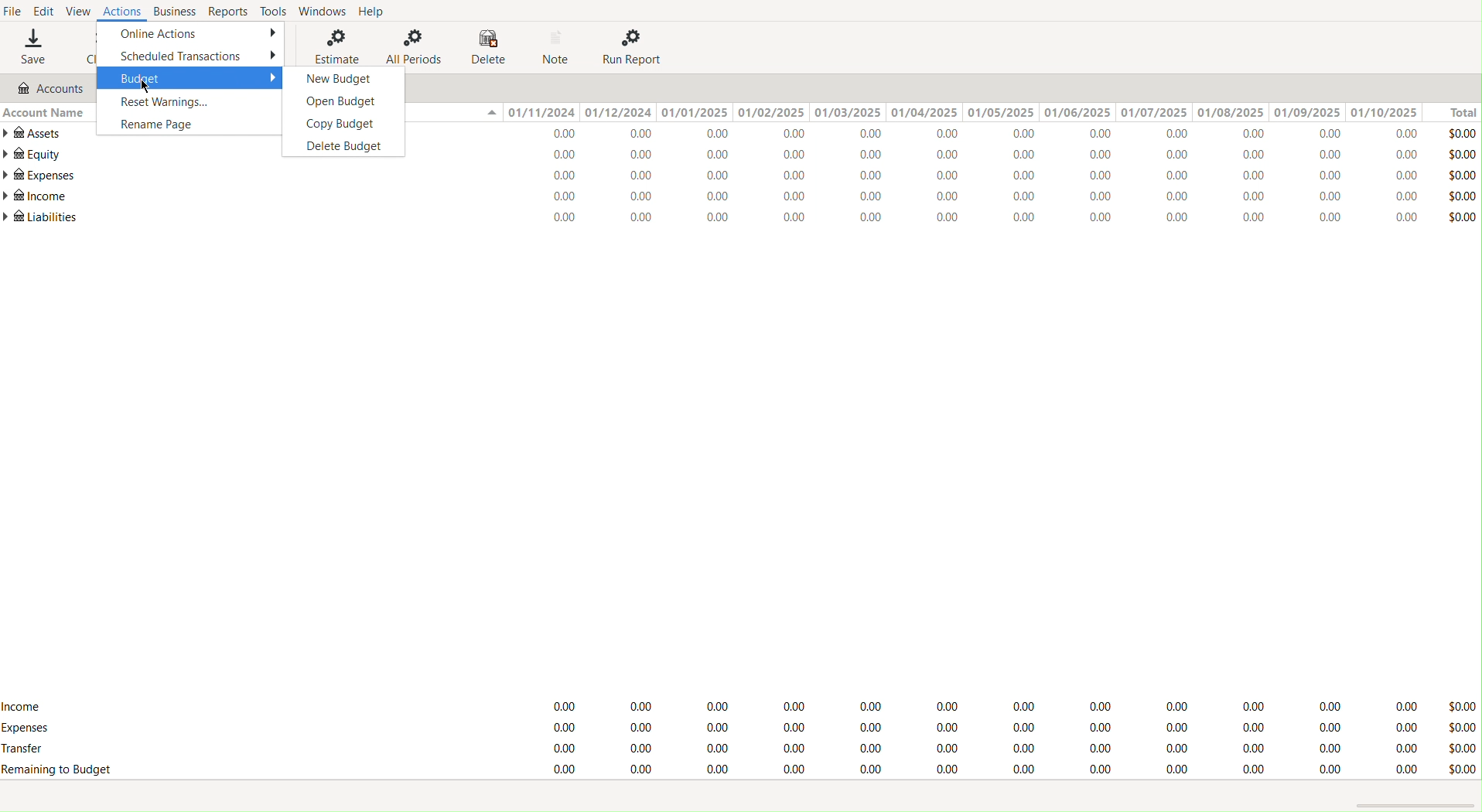 The height and width of the screenshot is (812, 1482). I want to click on Copy Budget, so click(344, 125).